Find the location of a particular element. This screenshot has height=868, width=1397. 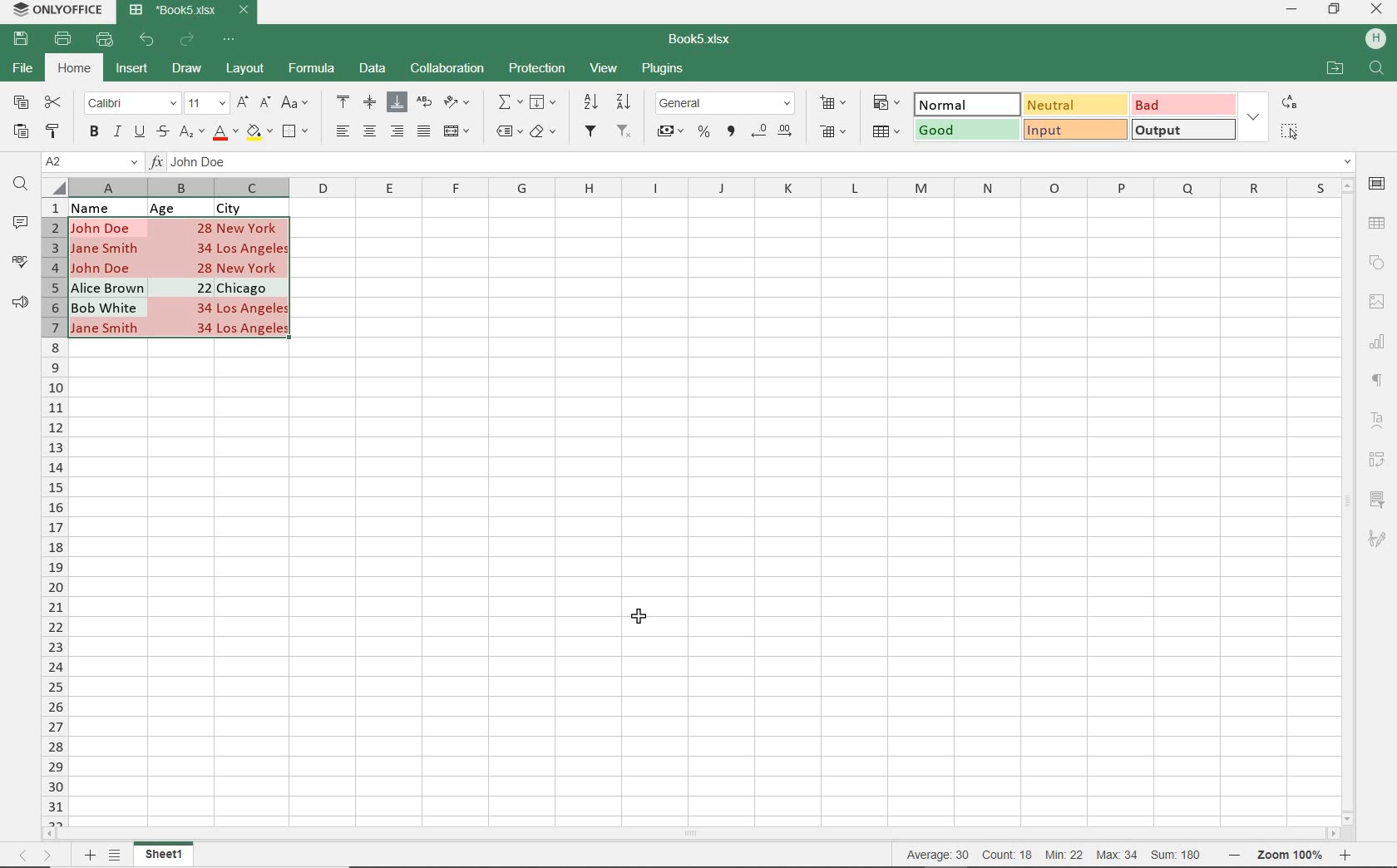

BAD is located at coordinates (1182, 104).